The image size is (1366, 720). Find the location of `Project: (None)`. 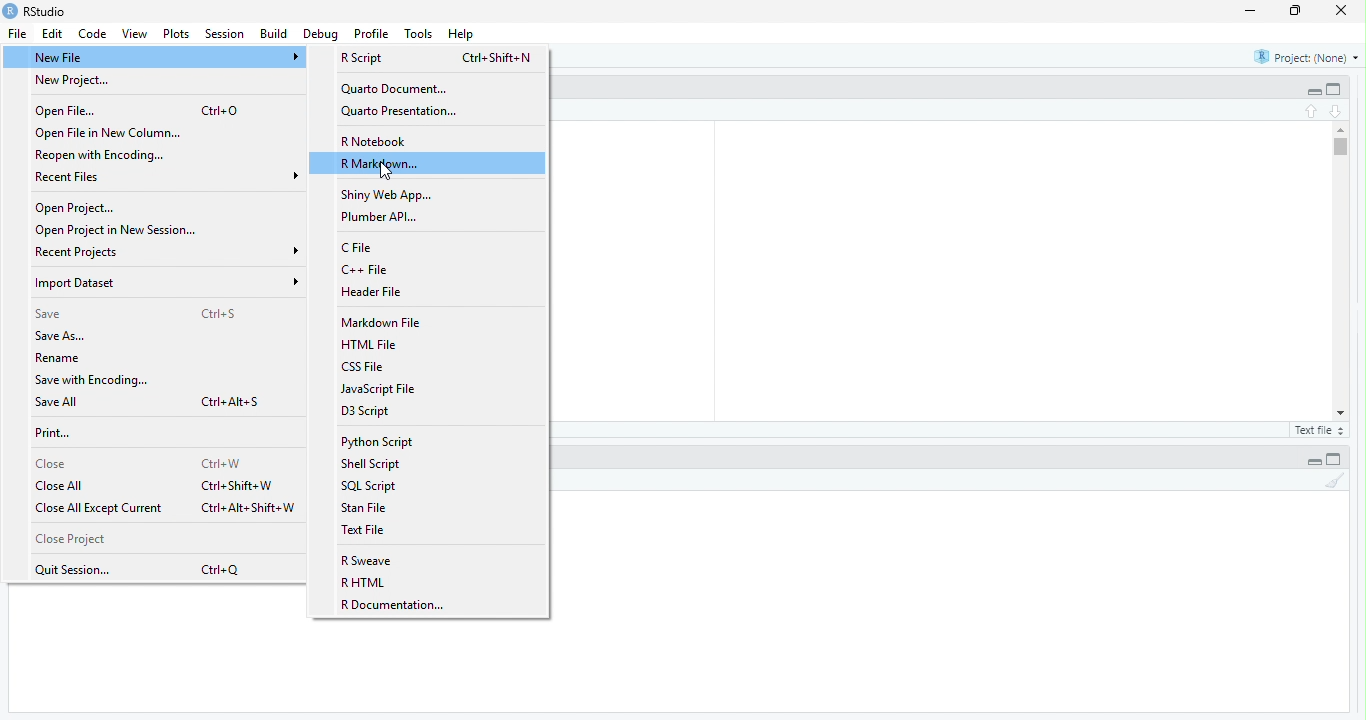

Project: (None) is located at coordinates (1307, 58).